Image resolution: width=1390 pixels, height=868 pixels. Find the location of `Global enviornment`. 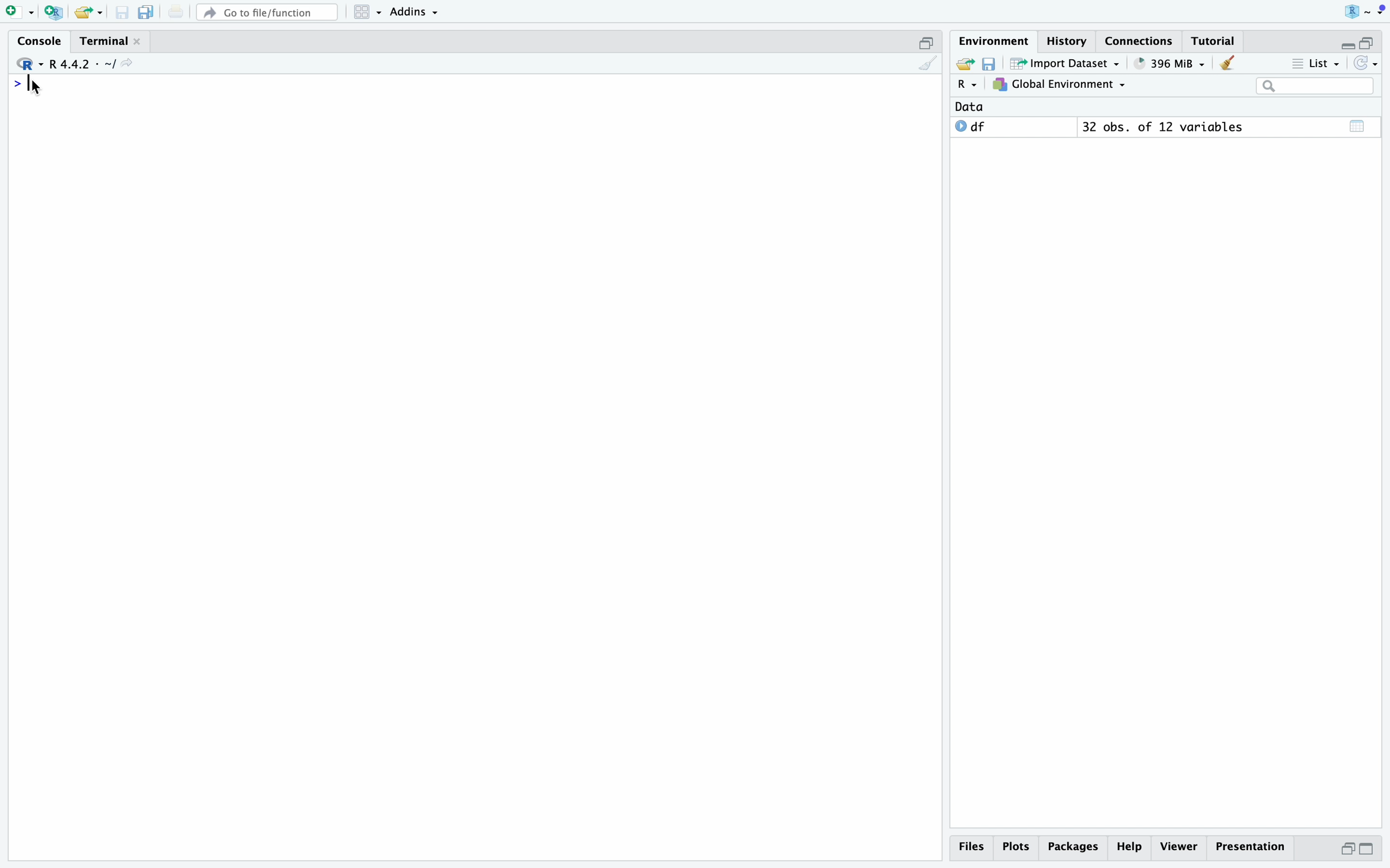

Global enviornment is located at coordinates (1059, 84).